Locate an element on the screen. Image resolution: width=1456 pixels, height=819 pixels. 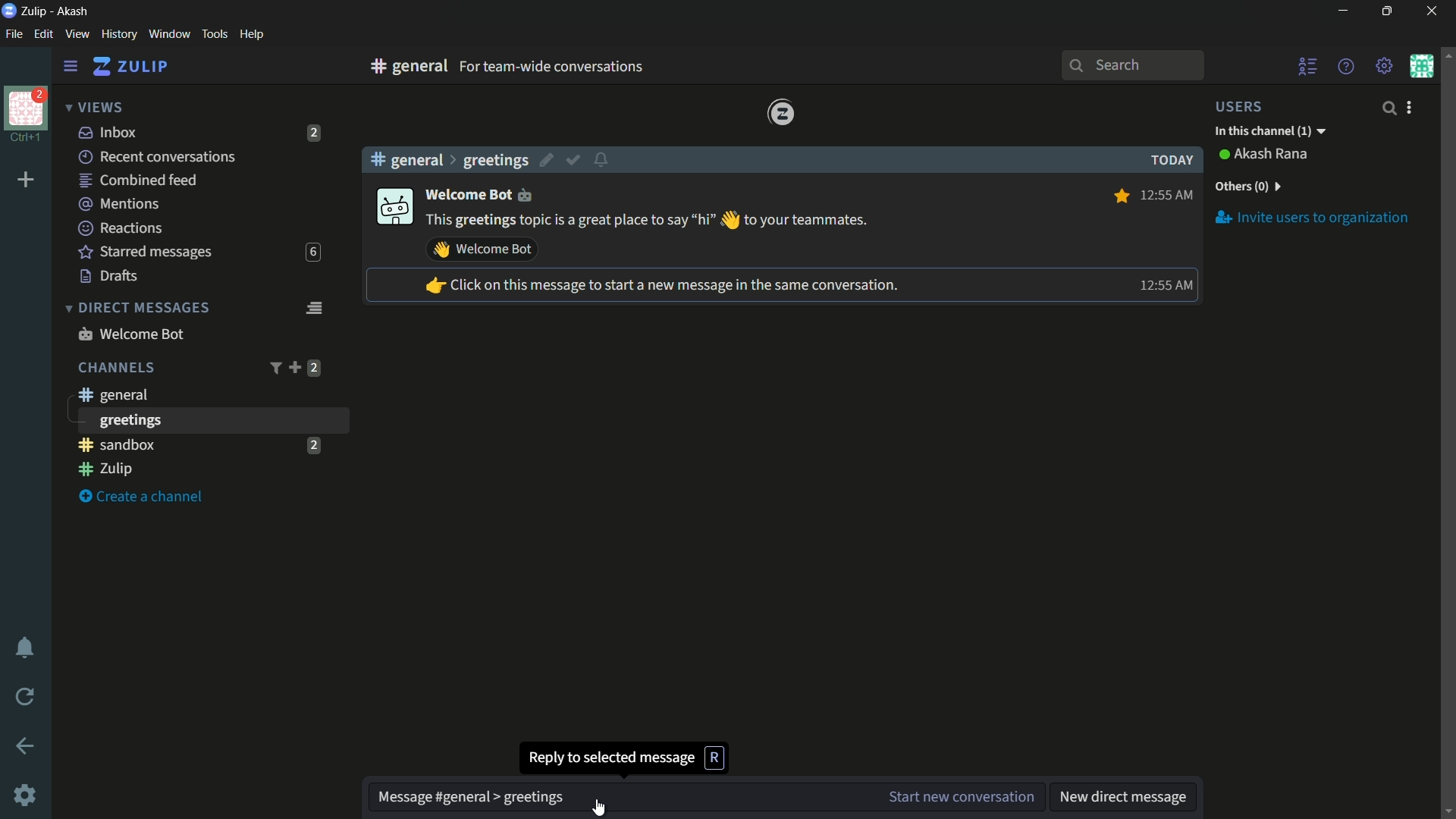
welcome bot is located at coordinates (482, 193).